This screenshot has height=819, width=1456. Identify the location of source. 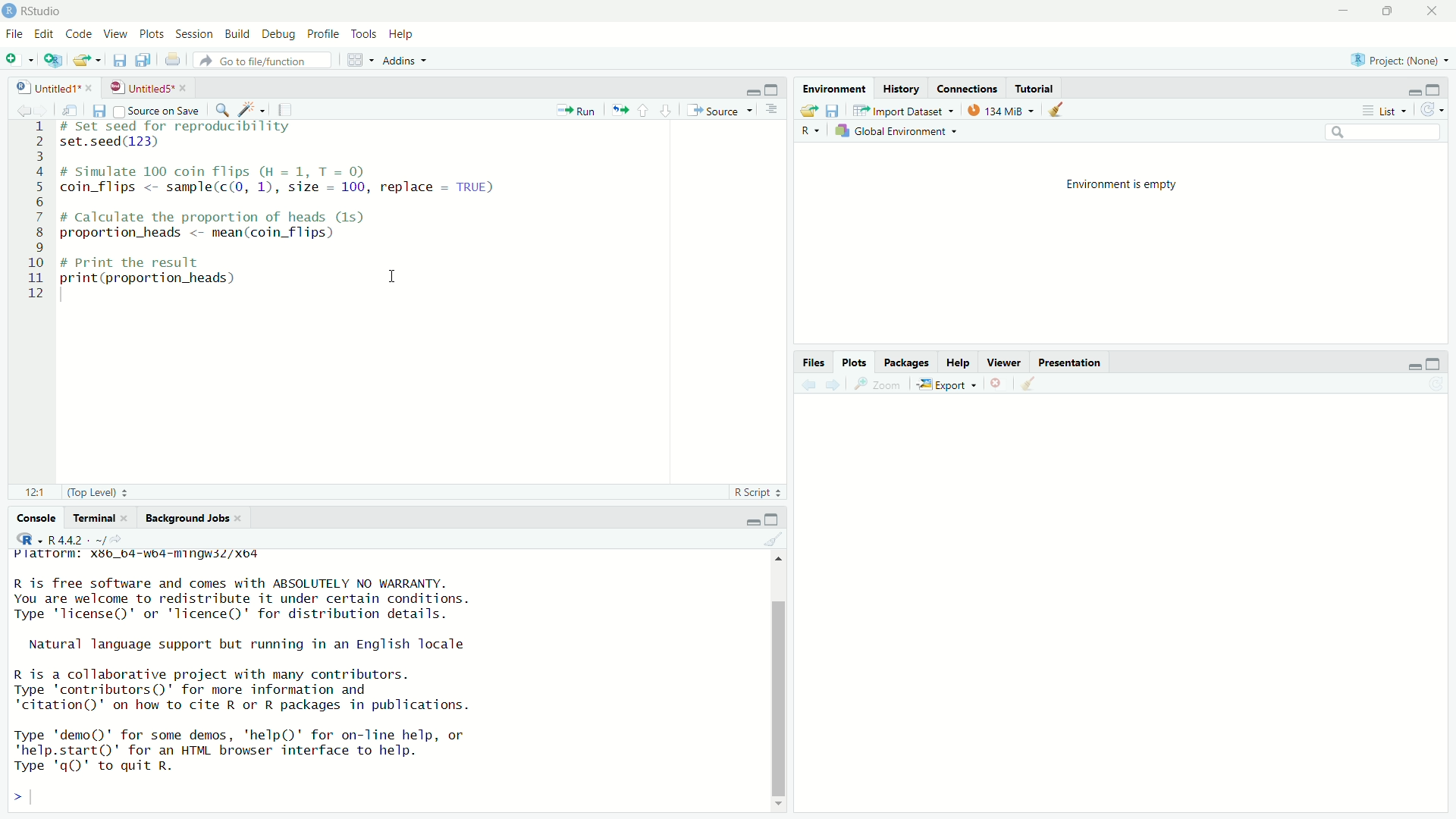
(722, 111).